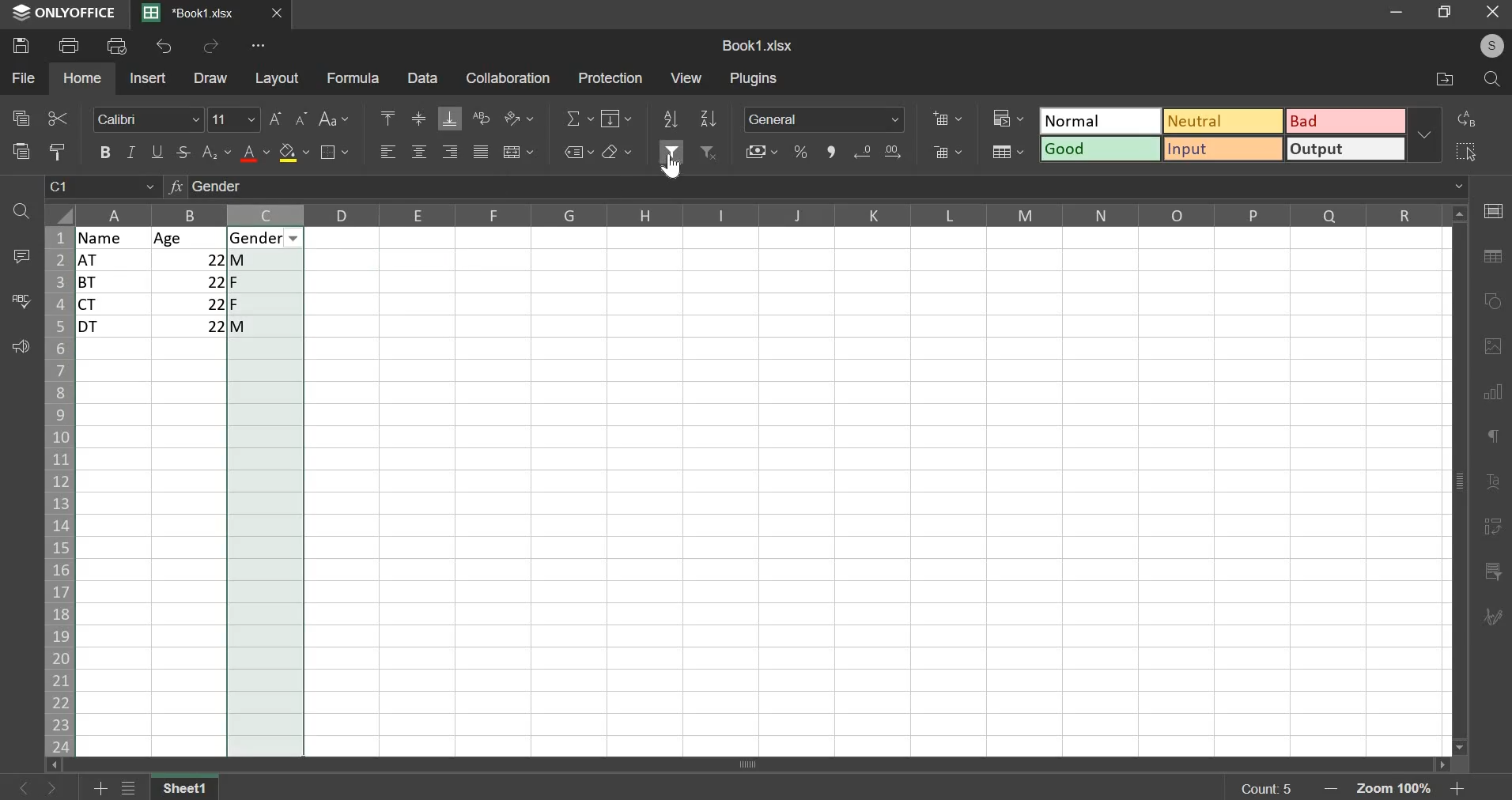 The width and height of the screenshot is (1512, 800). Describe the element at coordinates (211, 47) in the screenshot. I see `redo` at that location.